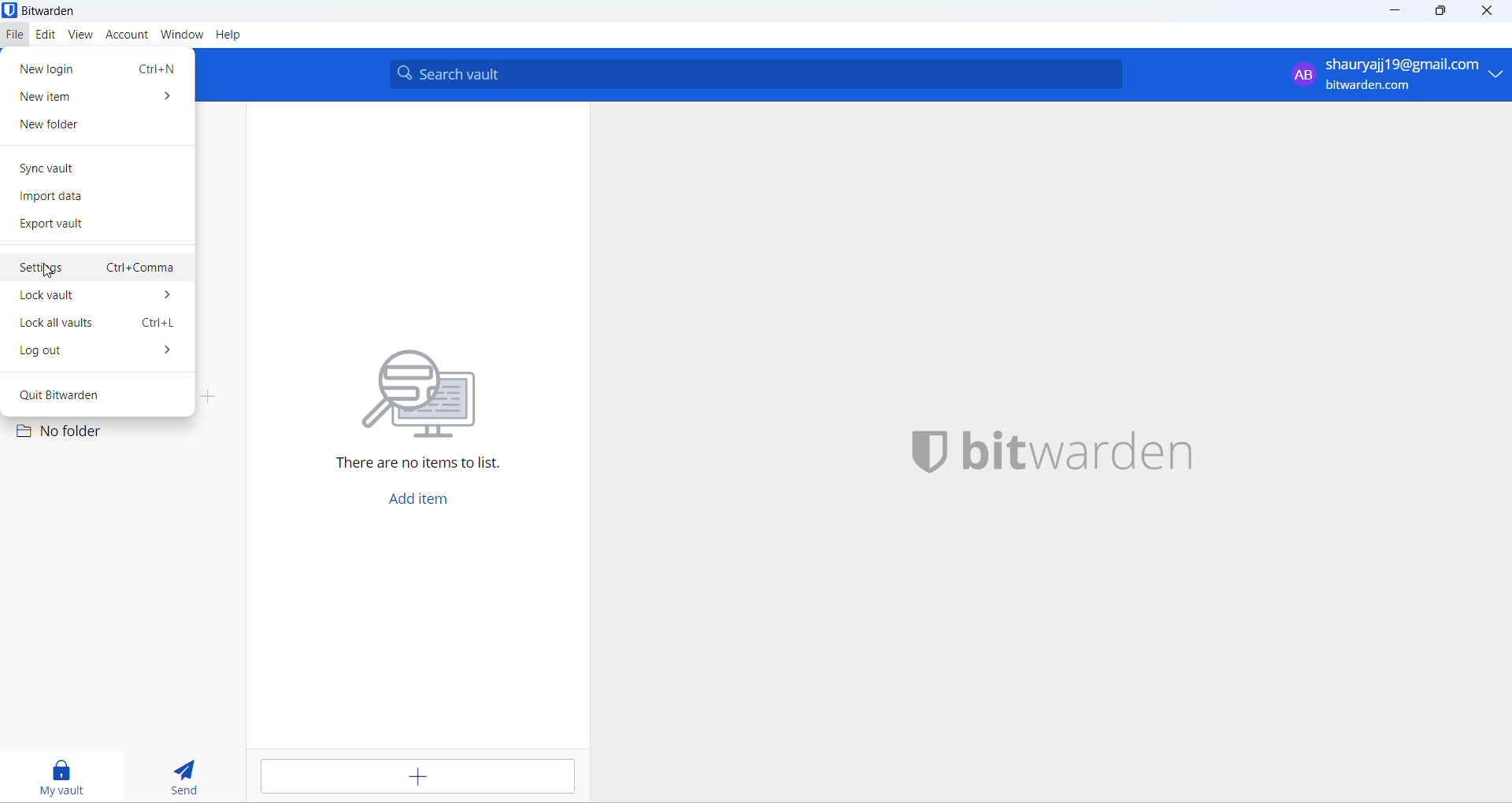 This screenshot has width=1512, height=803. What do you see at coordinates (185, 776) in the screenshot?
I see `send ` at bounding box center [185, 776].